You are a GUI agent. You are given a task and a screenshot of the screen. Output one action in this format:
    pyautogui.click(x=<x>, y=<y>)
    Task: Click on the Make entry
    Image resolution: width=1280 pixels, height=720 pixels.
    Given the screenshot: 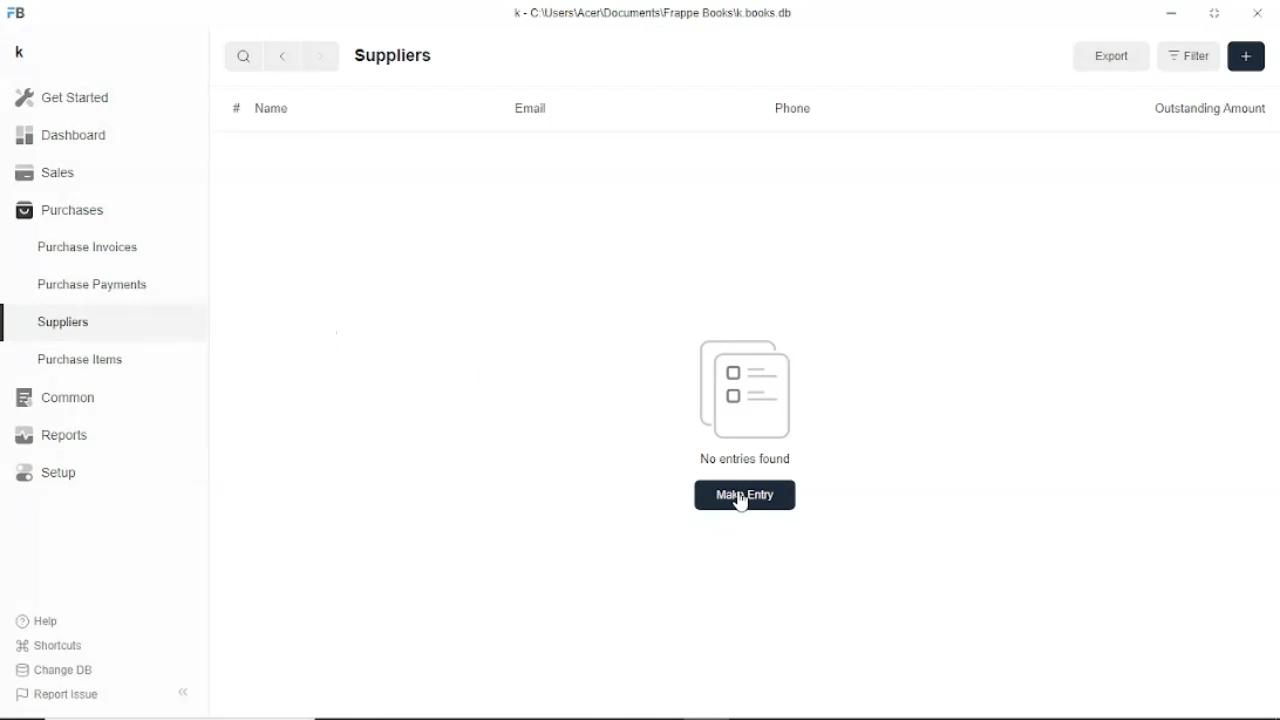 What is the action you would take?
    pyautogui.click(x=1246, y=56)
    